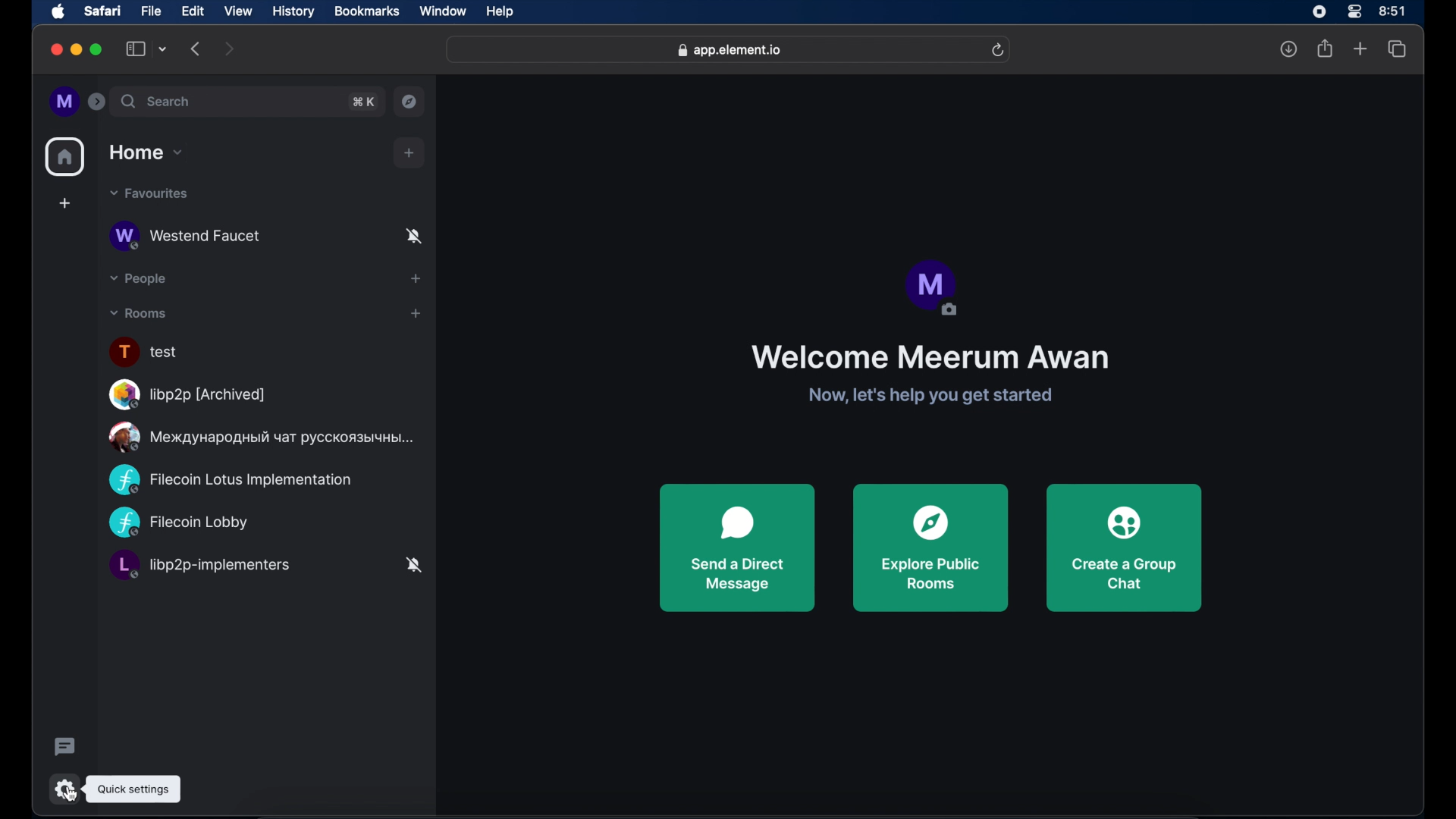  Describe the element at coordinates (1392, 11) in the screenshot. I see `time` at that location.